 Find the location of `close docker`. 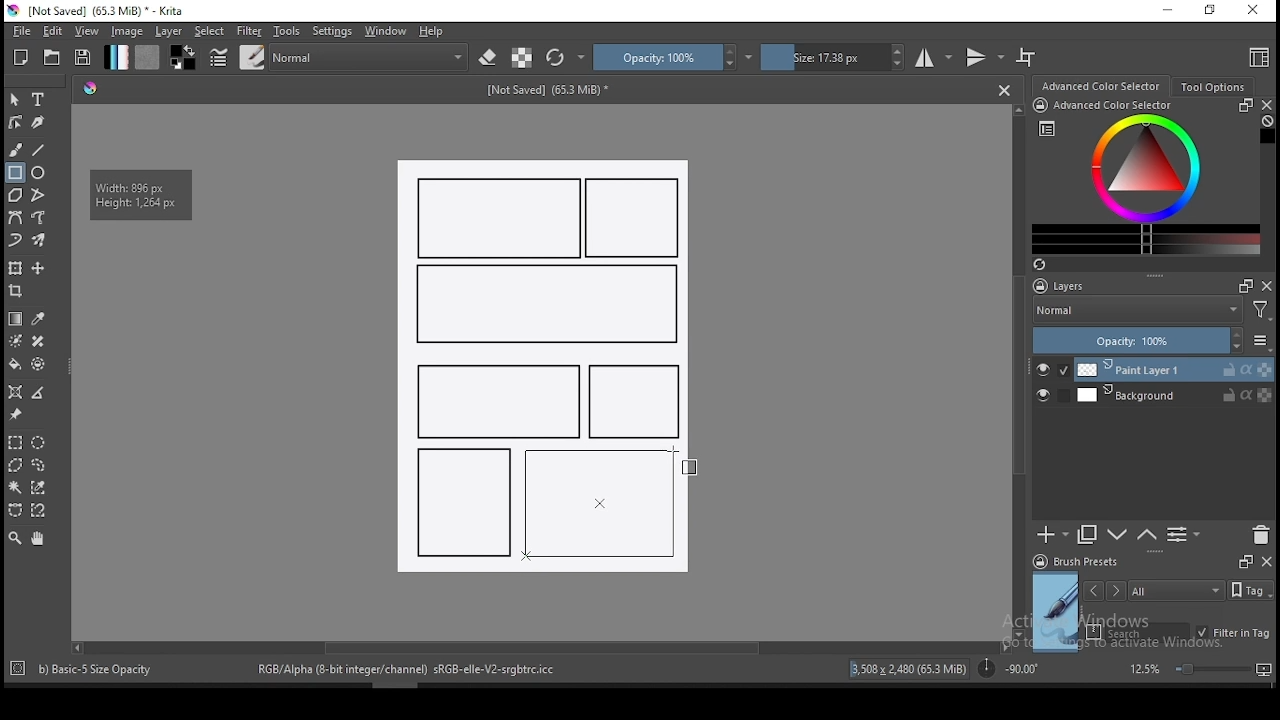

close docker is located at coordinates (1266, 560).